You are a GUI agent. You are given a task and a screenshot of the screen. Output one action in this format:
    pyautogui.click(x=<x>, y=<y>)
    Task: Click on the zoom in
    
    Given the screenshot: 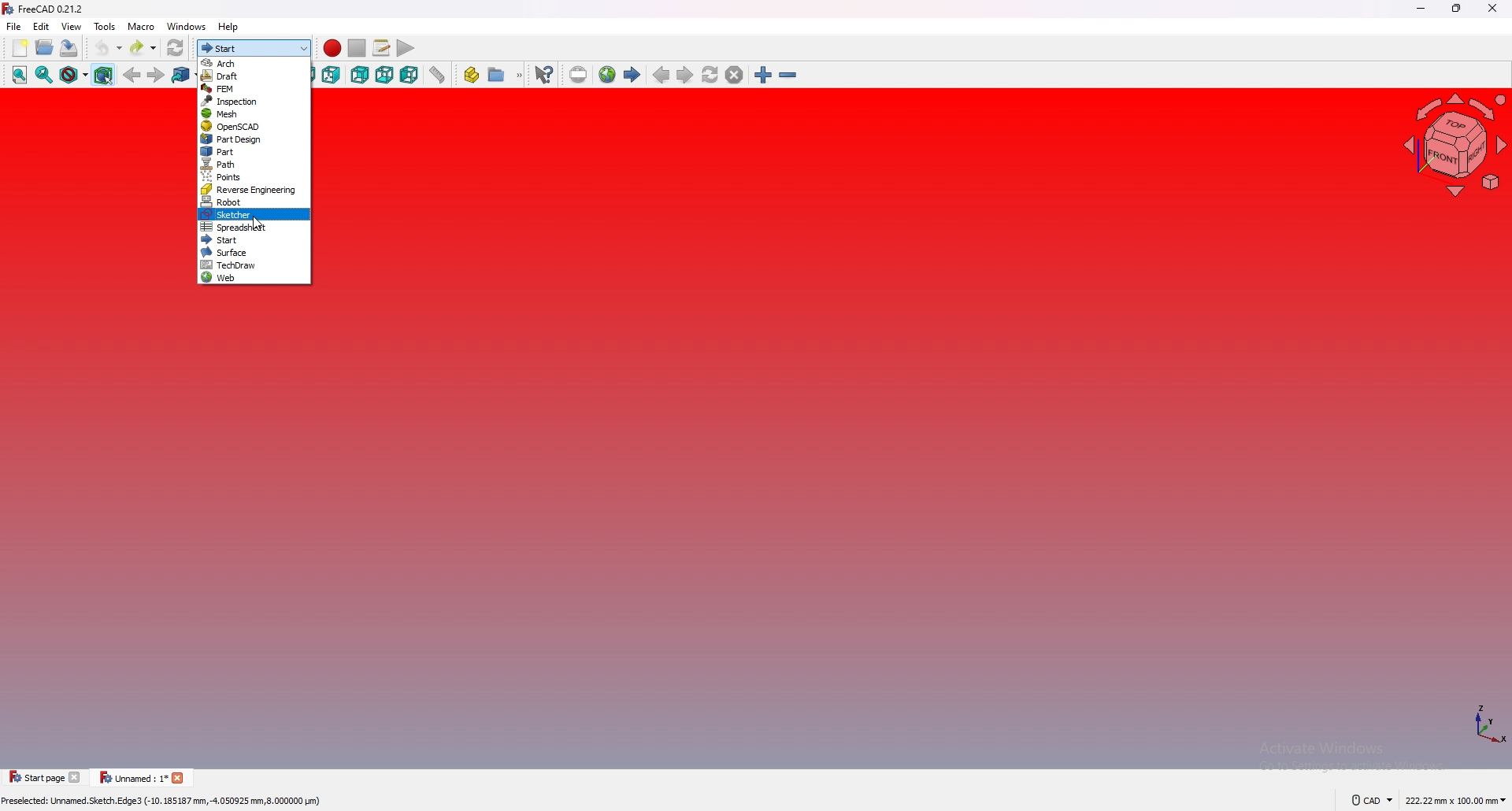 What is the action you would take?
    pyautogui.click(x=765, y=75)
    